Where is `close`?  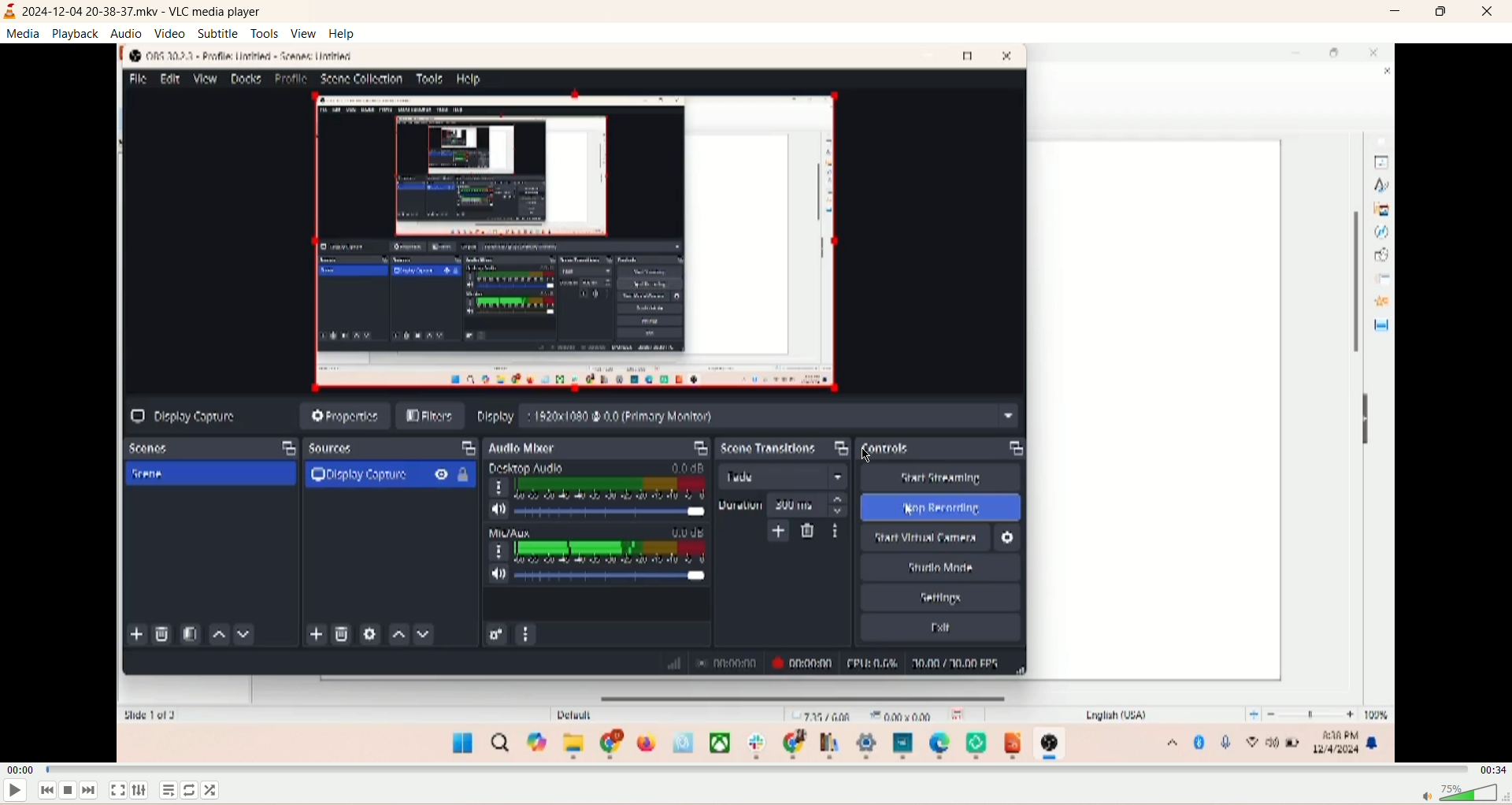
close is located at coordinates (1490, 15).